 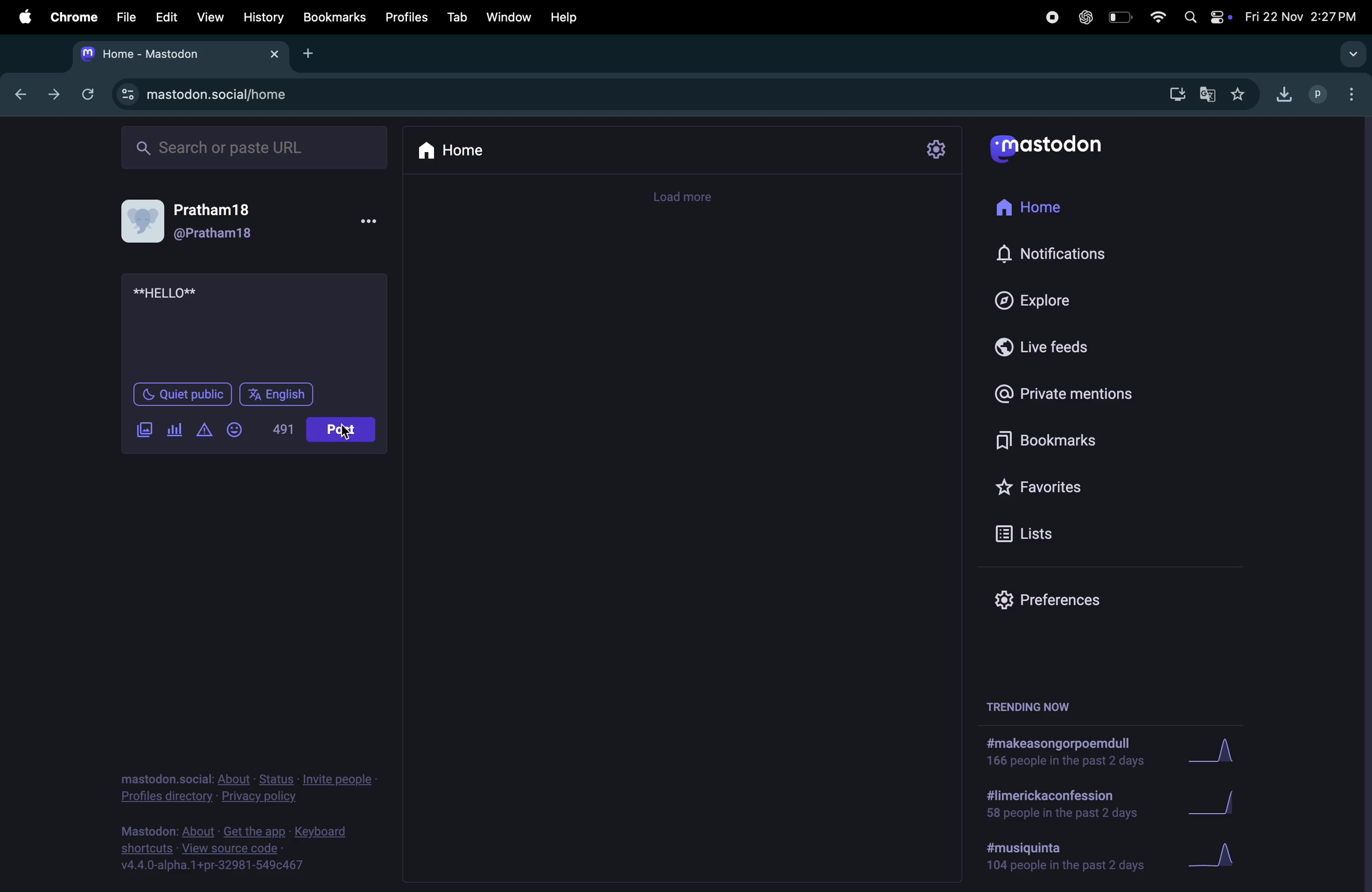 What do you see at coordinates (216, 221) in the screenshot?
I see `username` at bounding box center [216, 221].